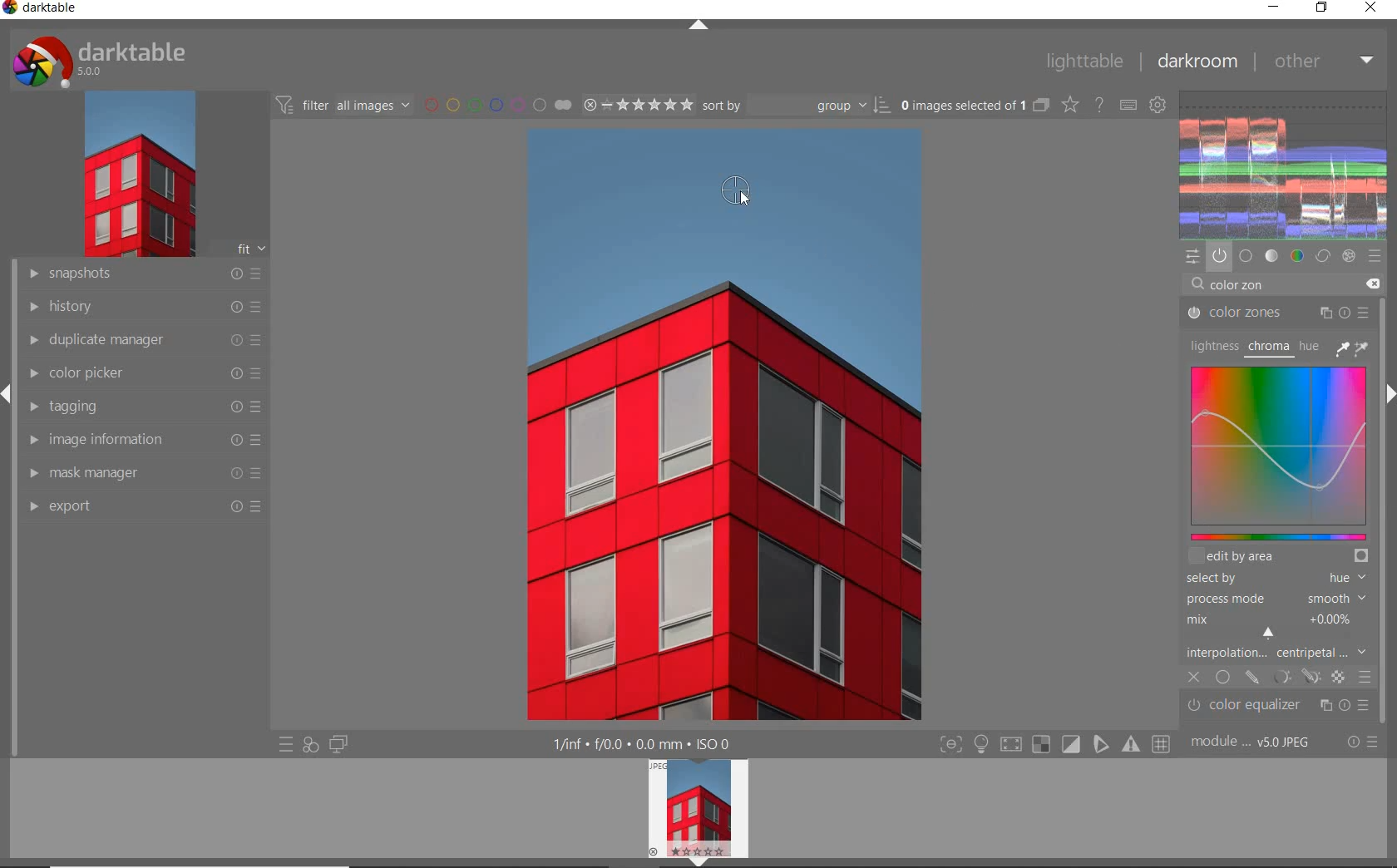 This screenshot has width=1397, height=868. Describe the element at coordinates (731, 191) in the screenshot. I see `PICKER TOOL ADDED` at that location.